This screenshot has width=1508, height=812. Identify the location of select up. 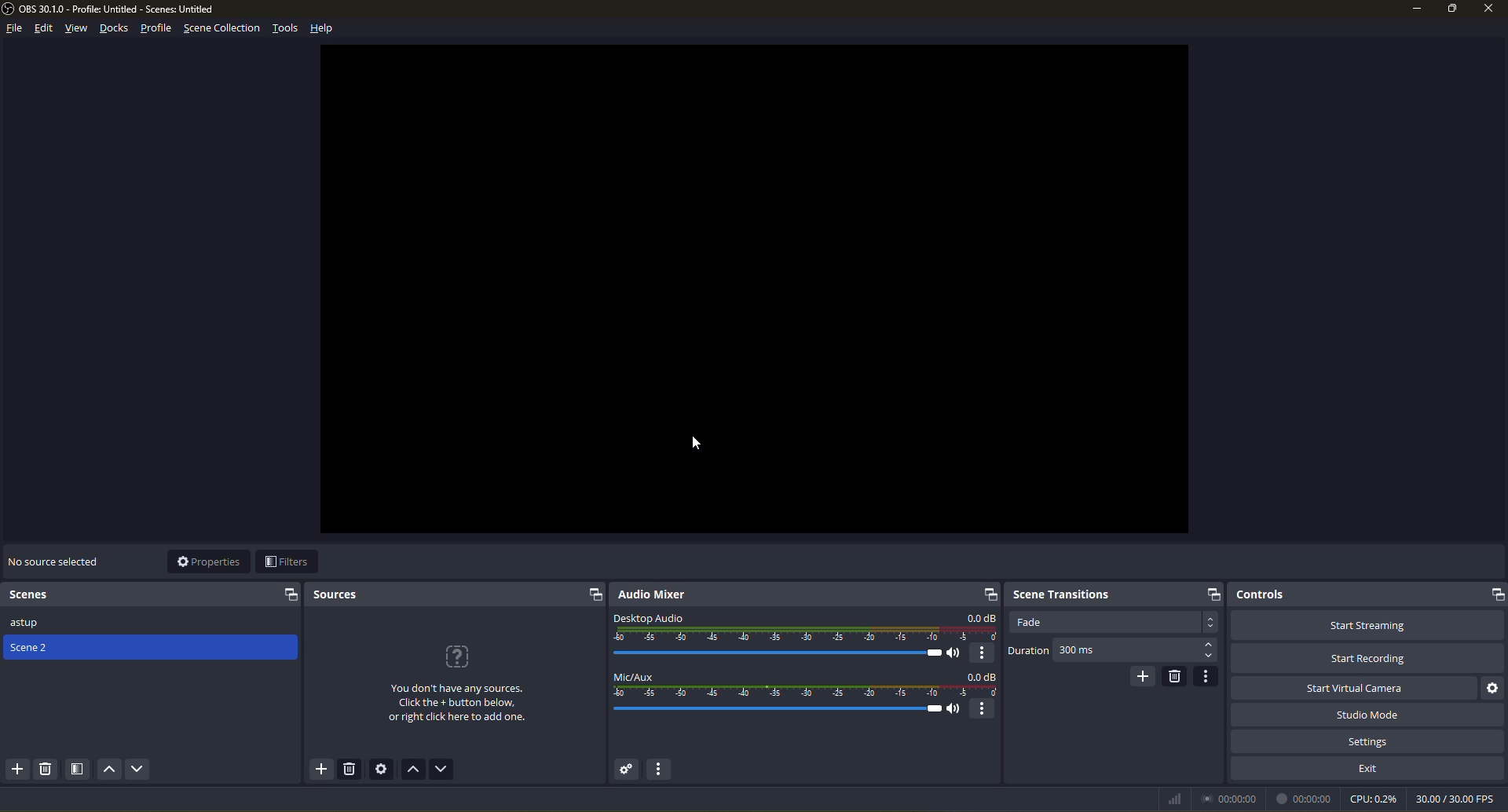
(1210, 642).